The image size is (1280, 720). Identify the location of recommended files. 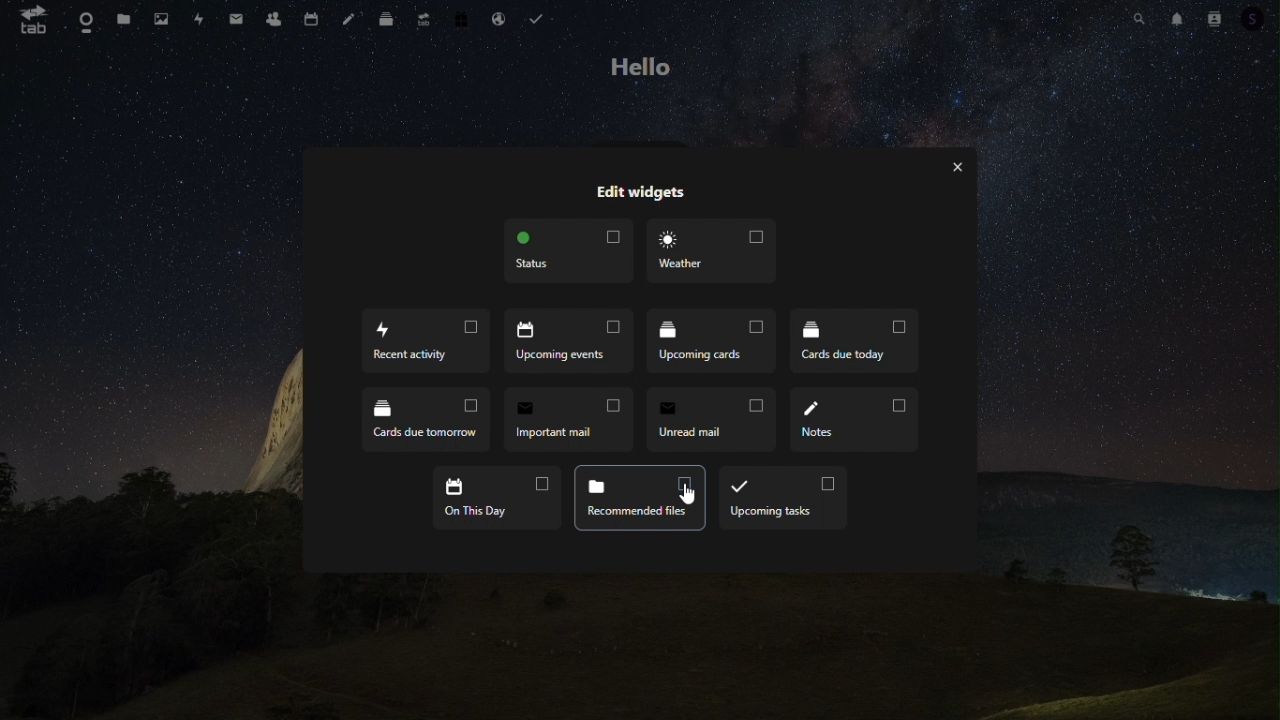
(641, 500).